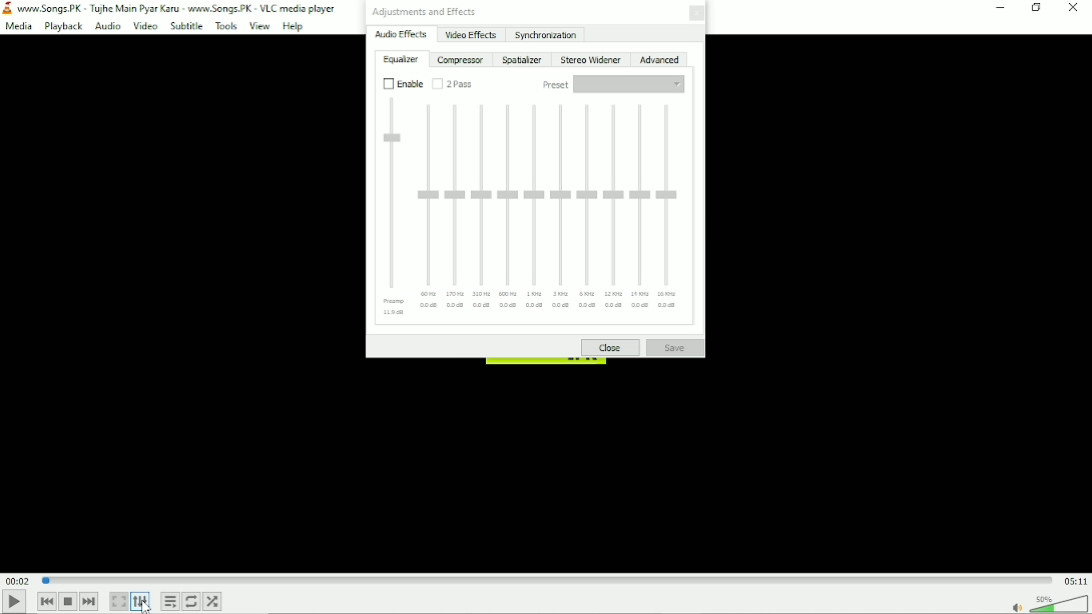 The height and width of the screenshot is (614, 1092). What do you see at coordinates (677, 349) in the screenshot?
I see `Save` at bounding box center [677, 349].